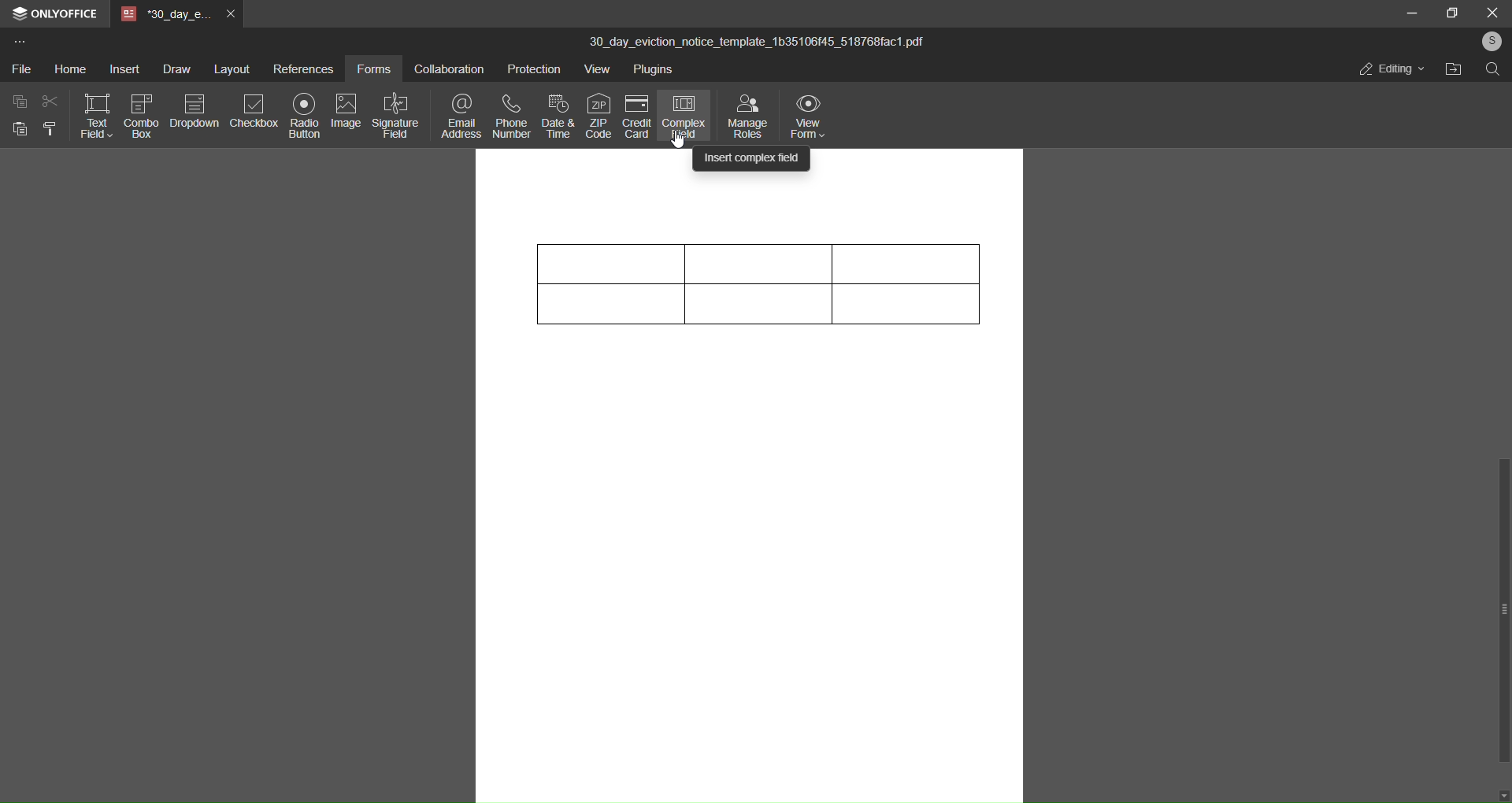 The image size is (1512, 803). Describe the element at coordinates (1391, 72) in the screenshot. I see `editing` at that location.